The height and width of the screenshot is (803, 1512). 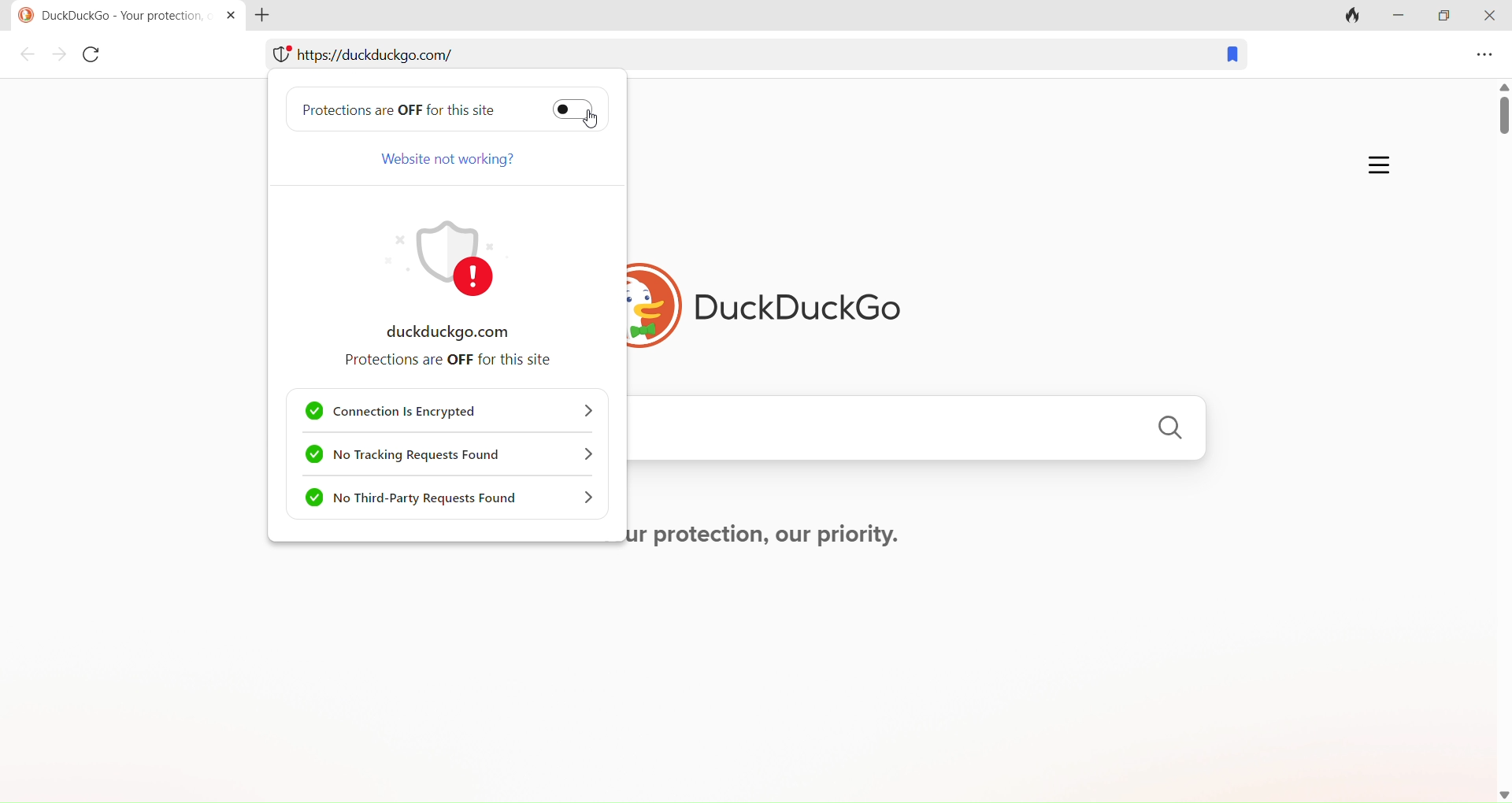 I want to click on up, so click(x=1502, y=84).